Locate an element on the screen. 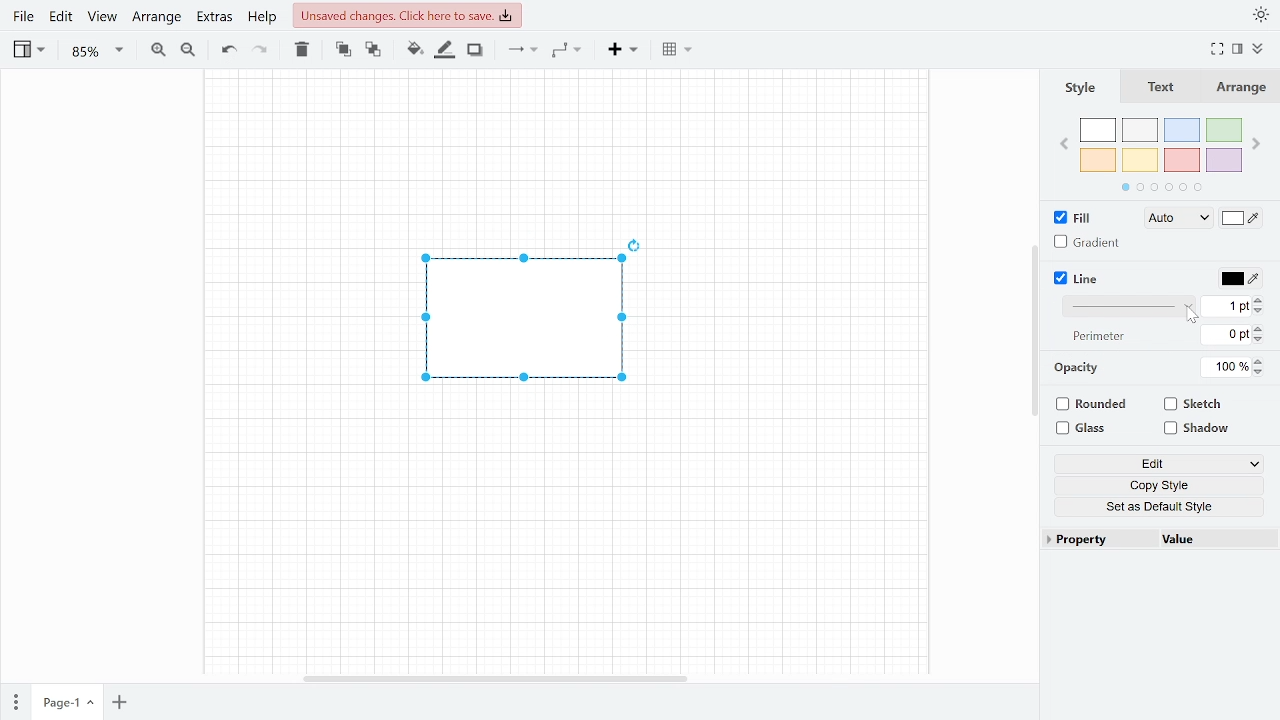 Image resolution: width=1280 pixels, height=720 pixels. Sketch is located at coordinates (1201, 405).